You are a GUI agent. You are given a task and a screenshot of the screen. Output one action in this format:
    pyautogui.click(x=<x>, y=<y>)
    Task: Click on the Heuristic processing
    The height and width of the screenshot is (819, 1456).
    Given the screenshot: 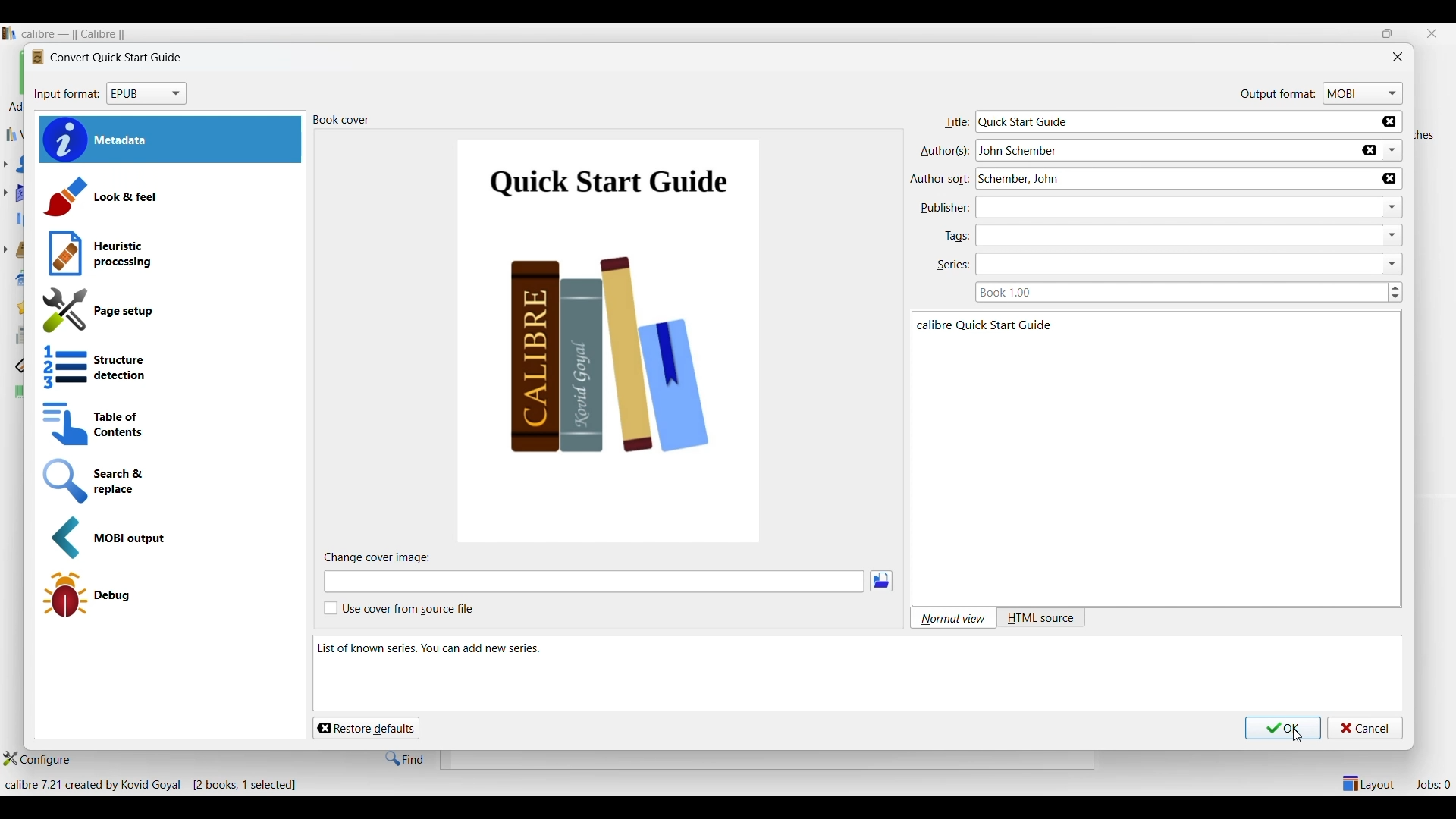 What is the action you would take?
    pyautogui.click(x=170, y=254)
    